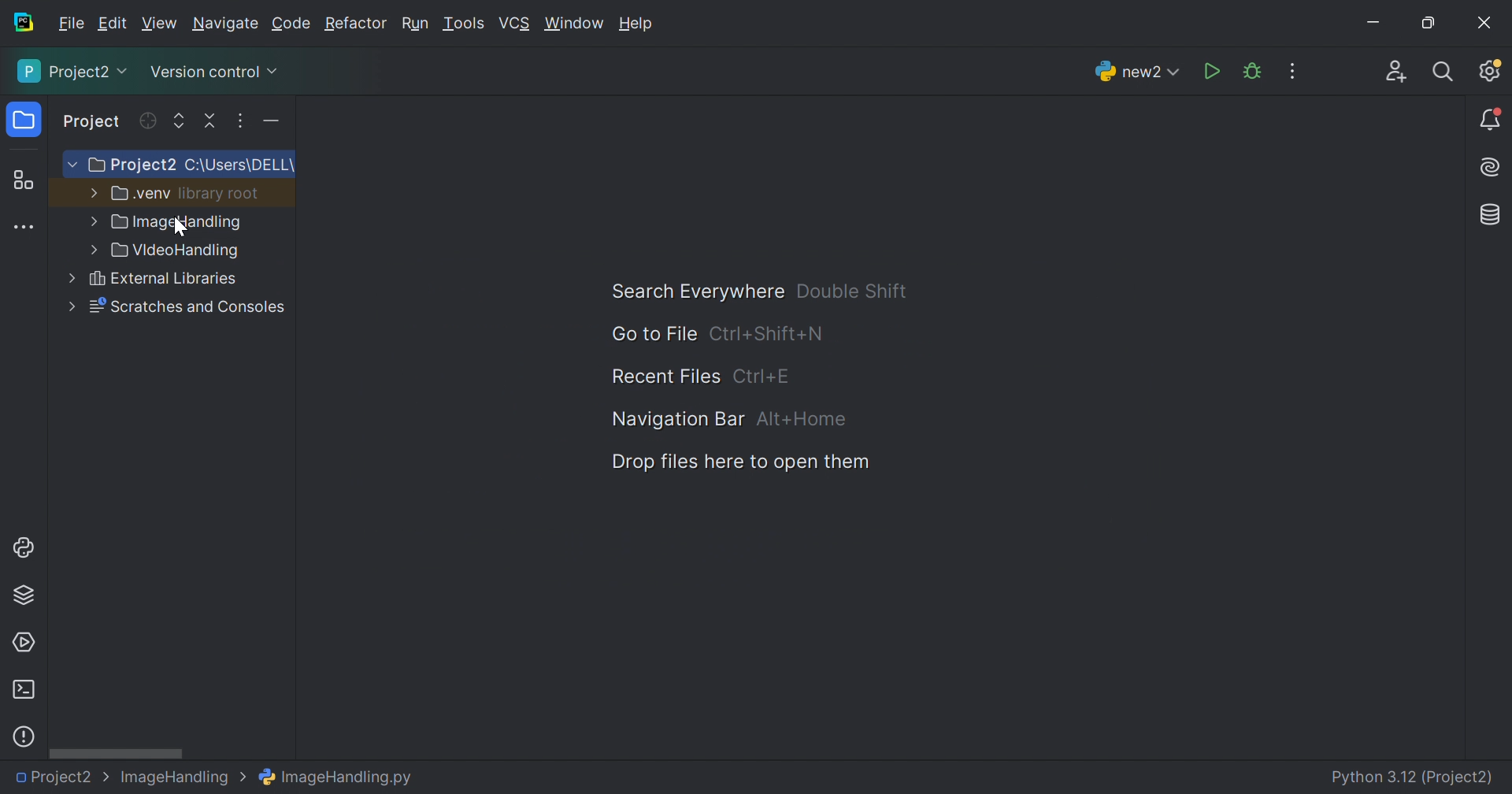  What do you see at coordinates (180, 122) in the screenshot?
I see `Expand all` at bounding box center [180, 122].